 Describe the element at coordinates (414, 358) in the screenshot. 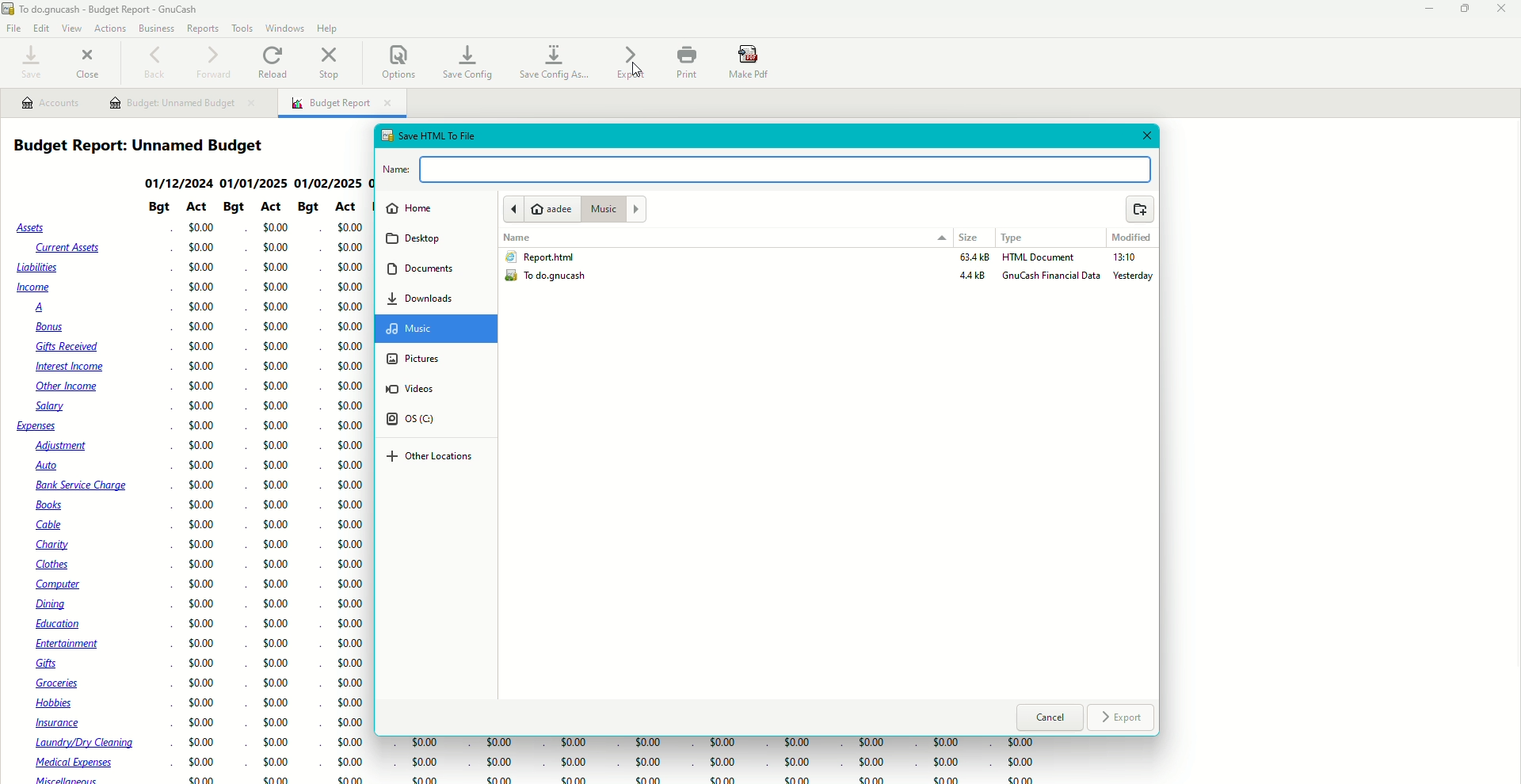

I see `Pictures` at that location.